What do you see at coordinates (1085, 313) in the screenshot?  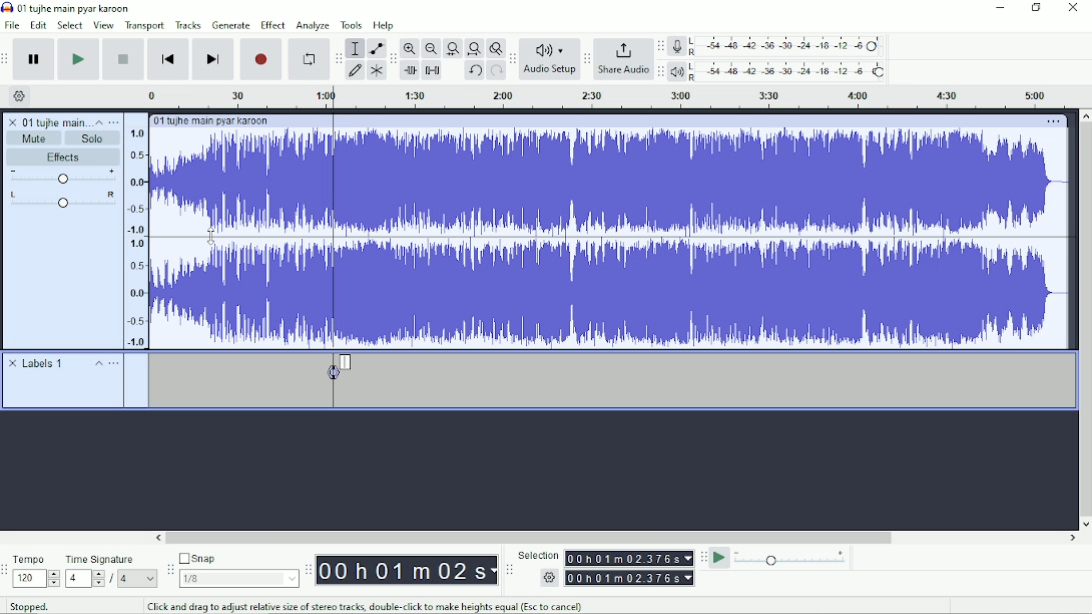 I see `Vertical scrollbar` at bounding box center [1085, 313].